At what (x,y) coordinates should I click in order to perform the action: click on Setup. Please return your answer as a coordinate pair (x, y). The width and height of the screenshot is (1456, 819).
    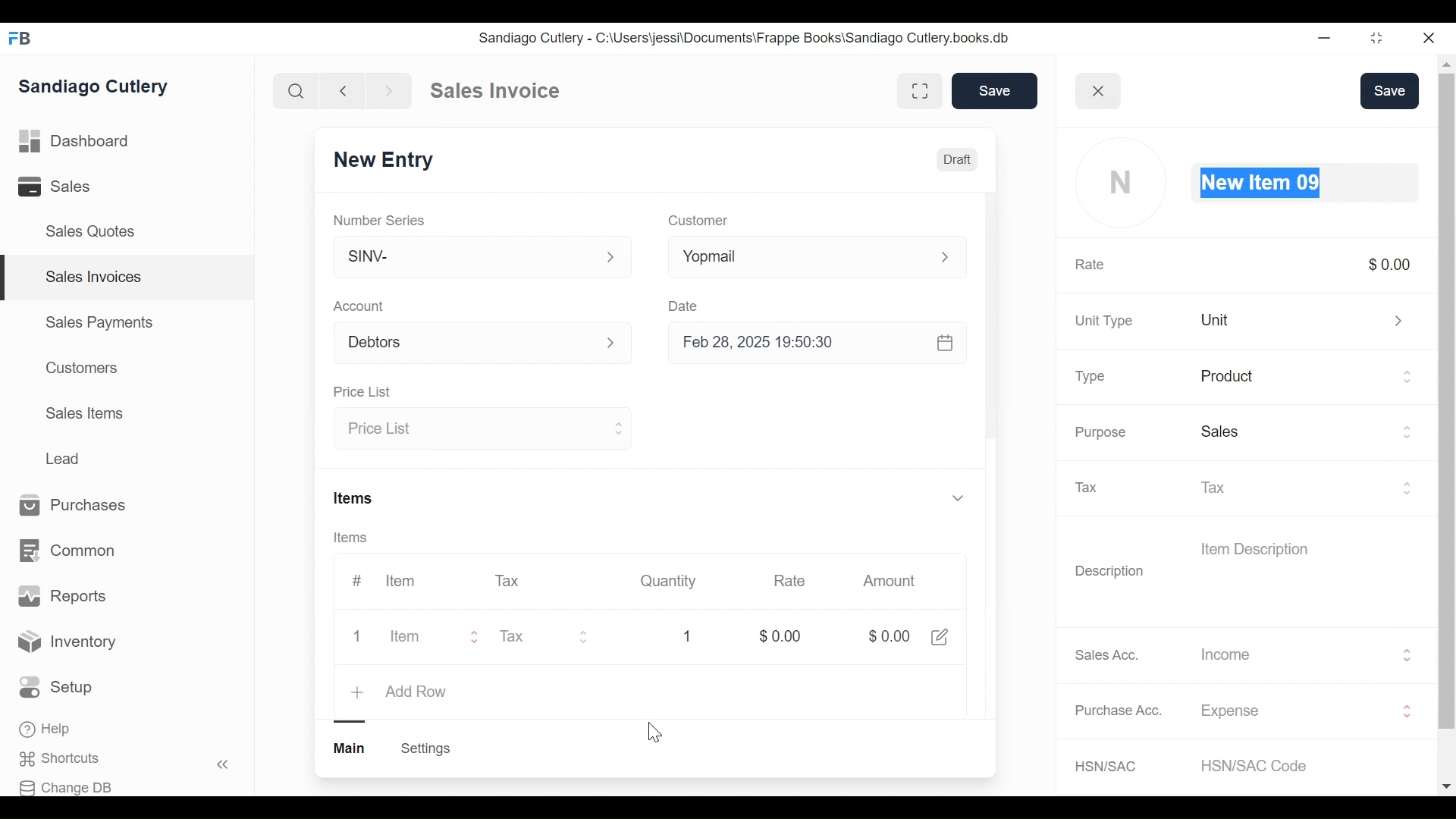
    Looking at the image, I should click on (56, 687).